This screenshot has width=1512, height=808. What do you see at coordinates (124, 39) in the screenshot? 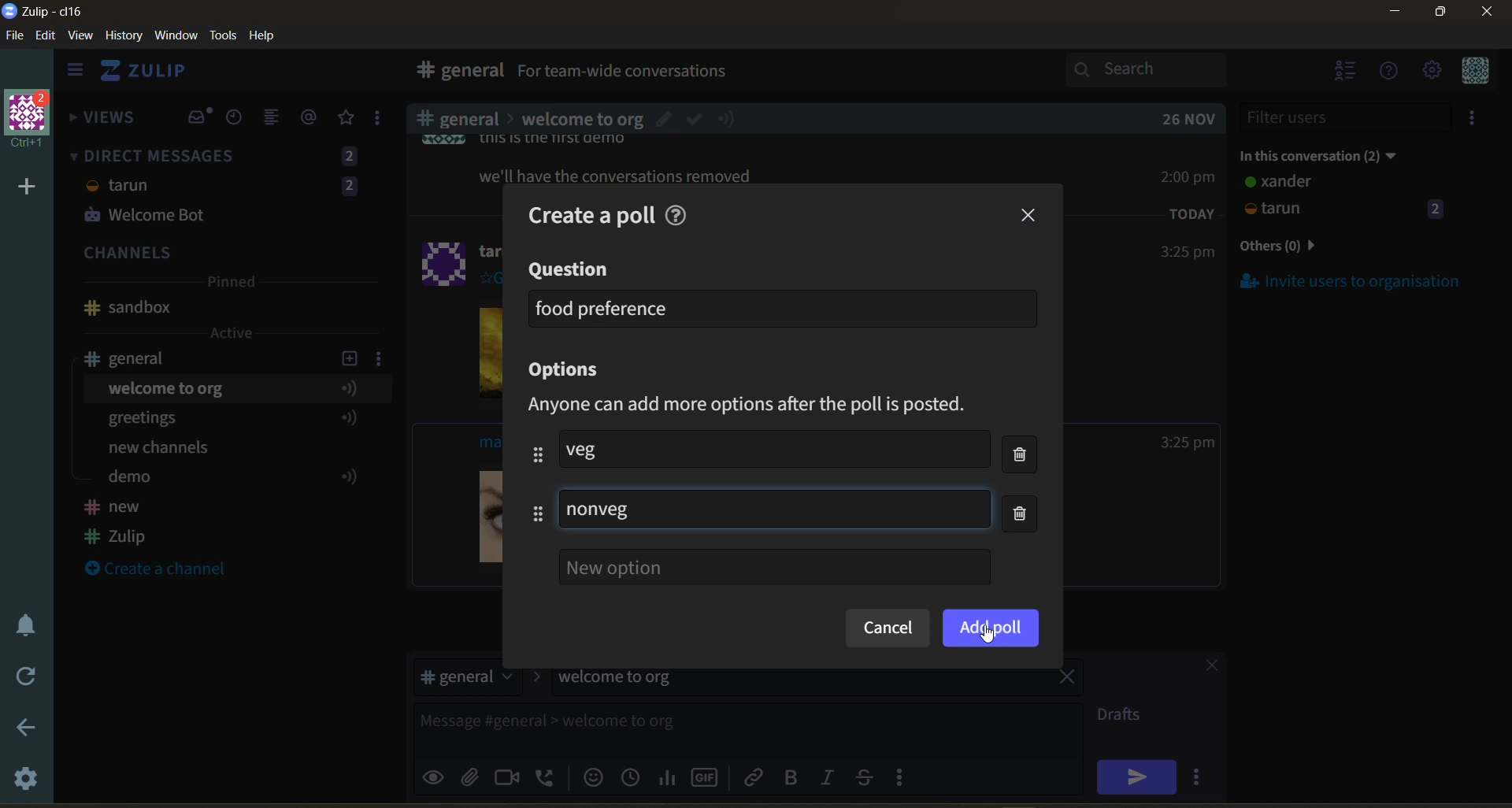
I see `history` at bounding box center [124, 39].